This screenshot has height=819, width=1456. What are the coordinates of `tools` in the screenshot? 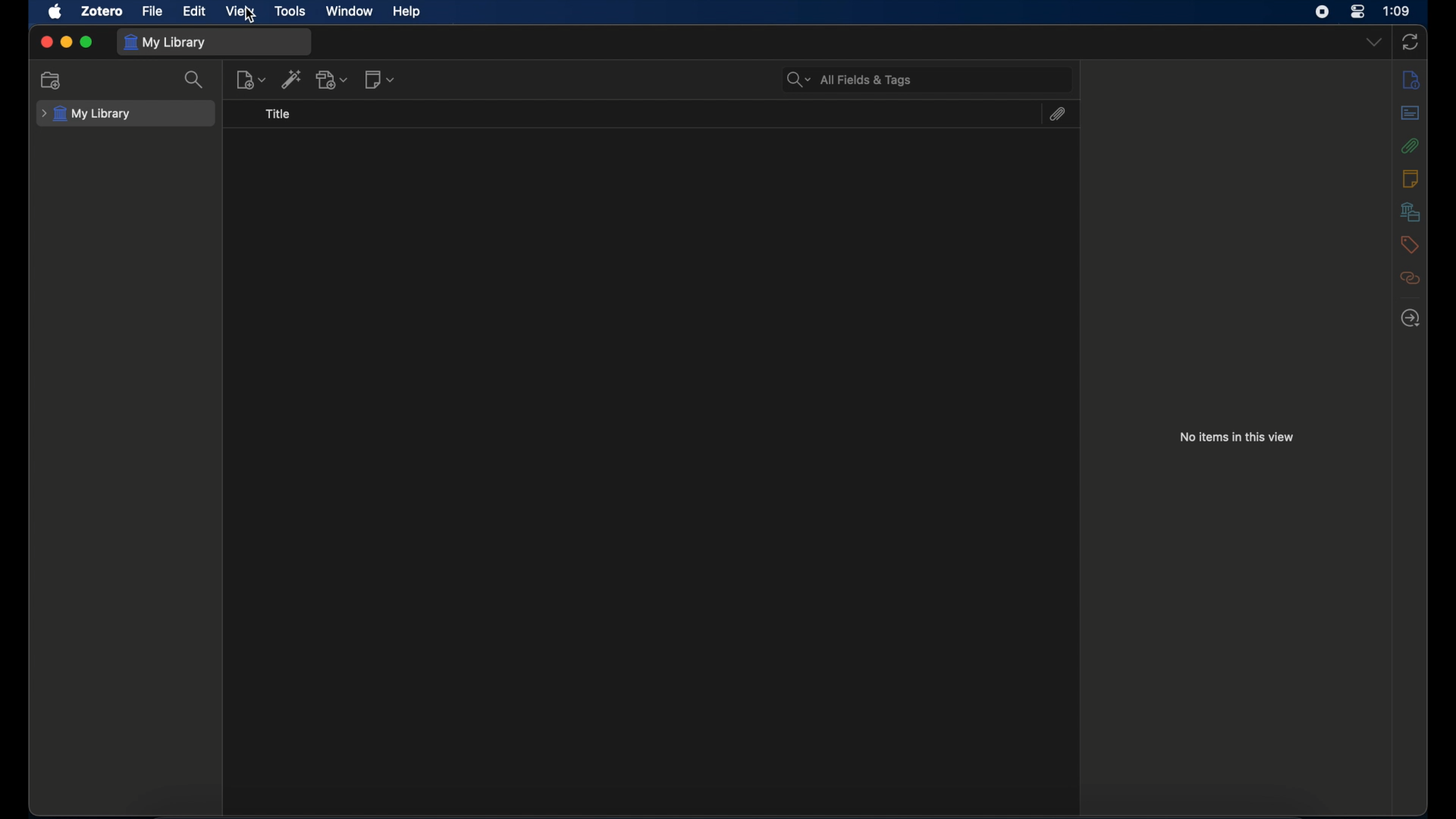 It's located at (291, 11).